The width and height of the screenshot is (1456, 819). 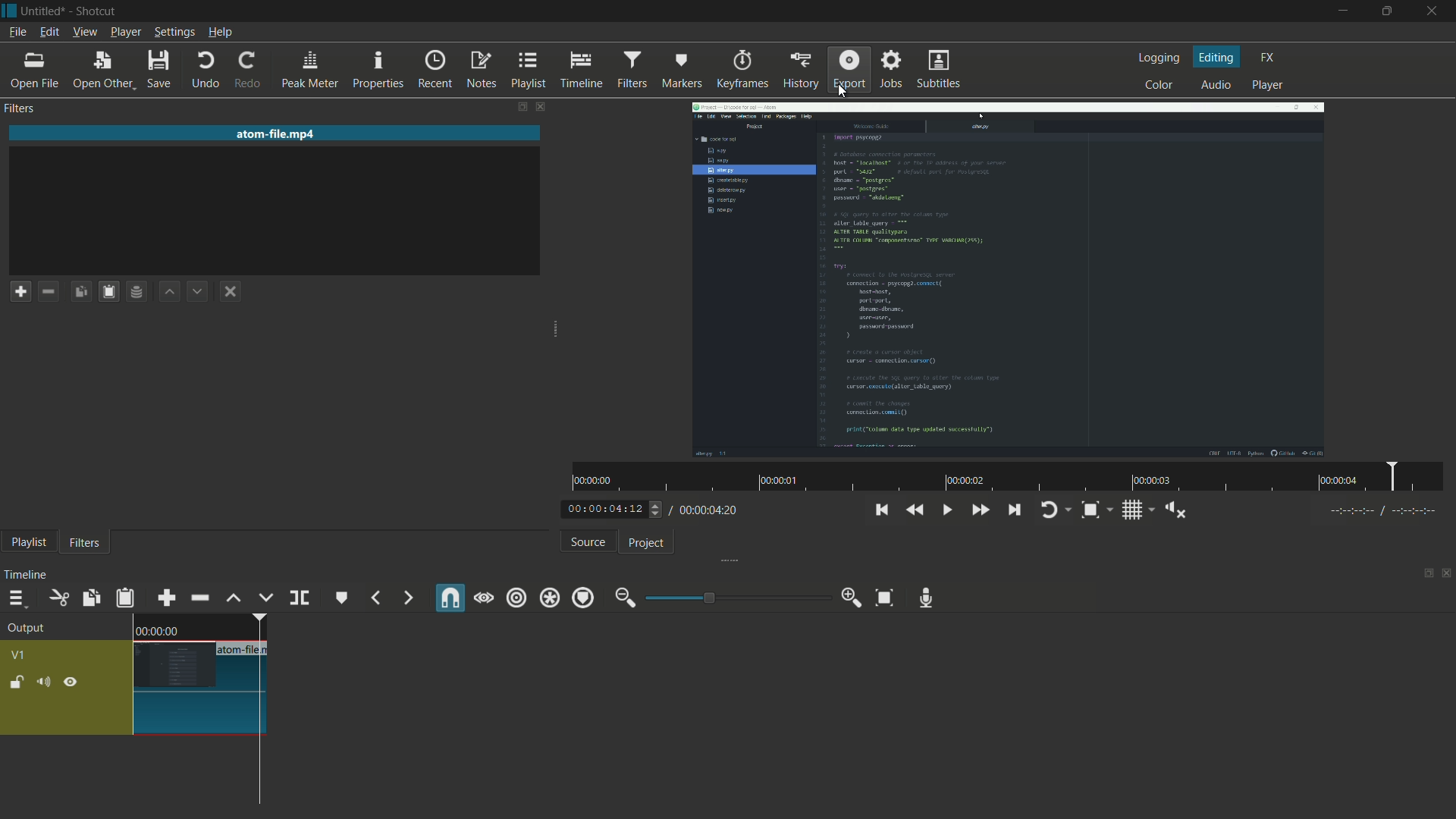 What do you see at coordinates (310, 71) in the screenshot?
I see `peak meter` at bounding box center [310, 71].